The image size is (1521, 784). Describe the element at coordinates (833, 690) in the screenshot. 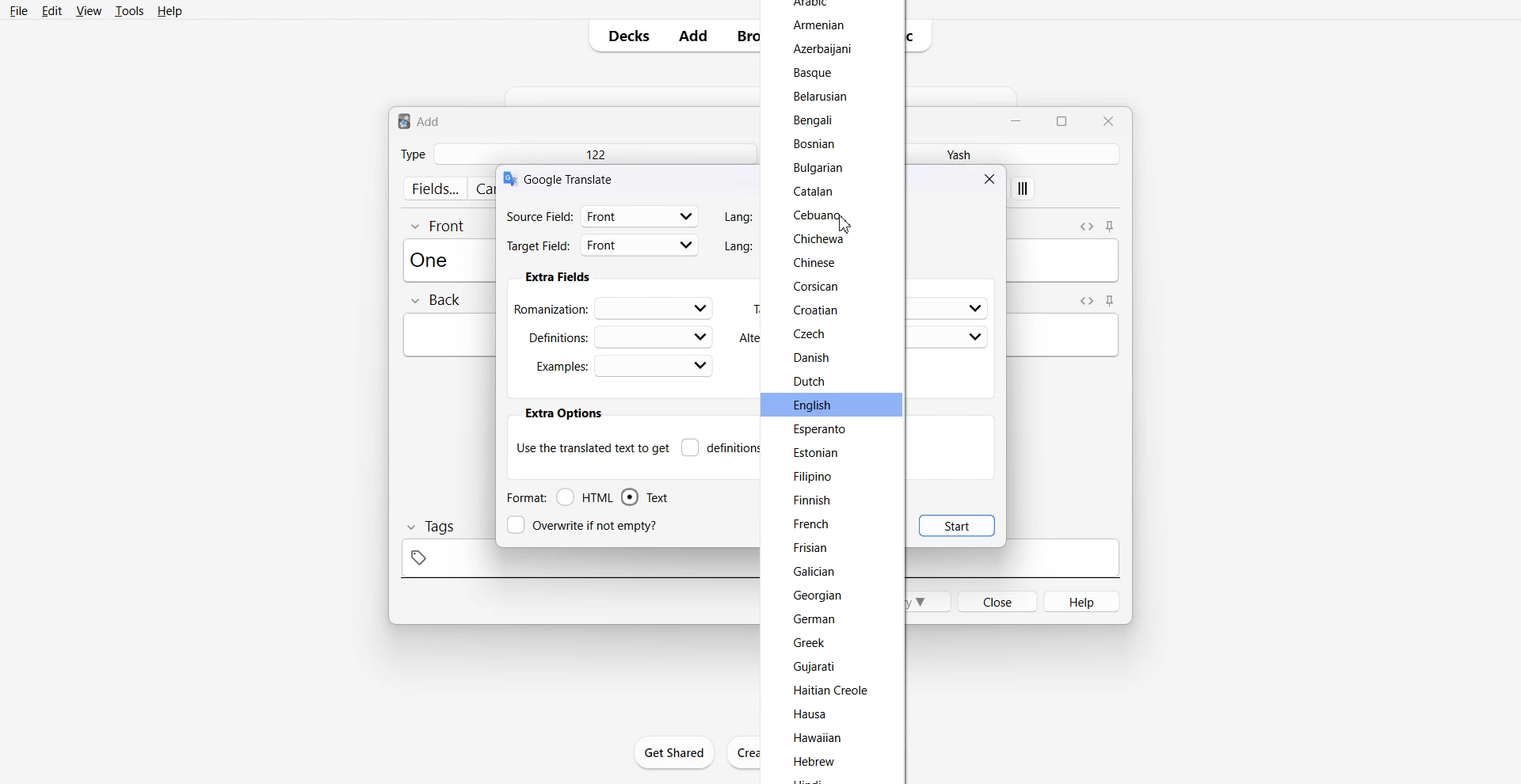

I see `Haitian Creole` at that location.